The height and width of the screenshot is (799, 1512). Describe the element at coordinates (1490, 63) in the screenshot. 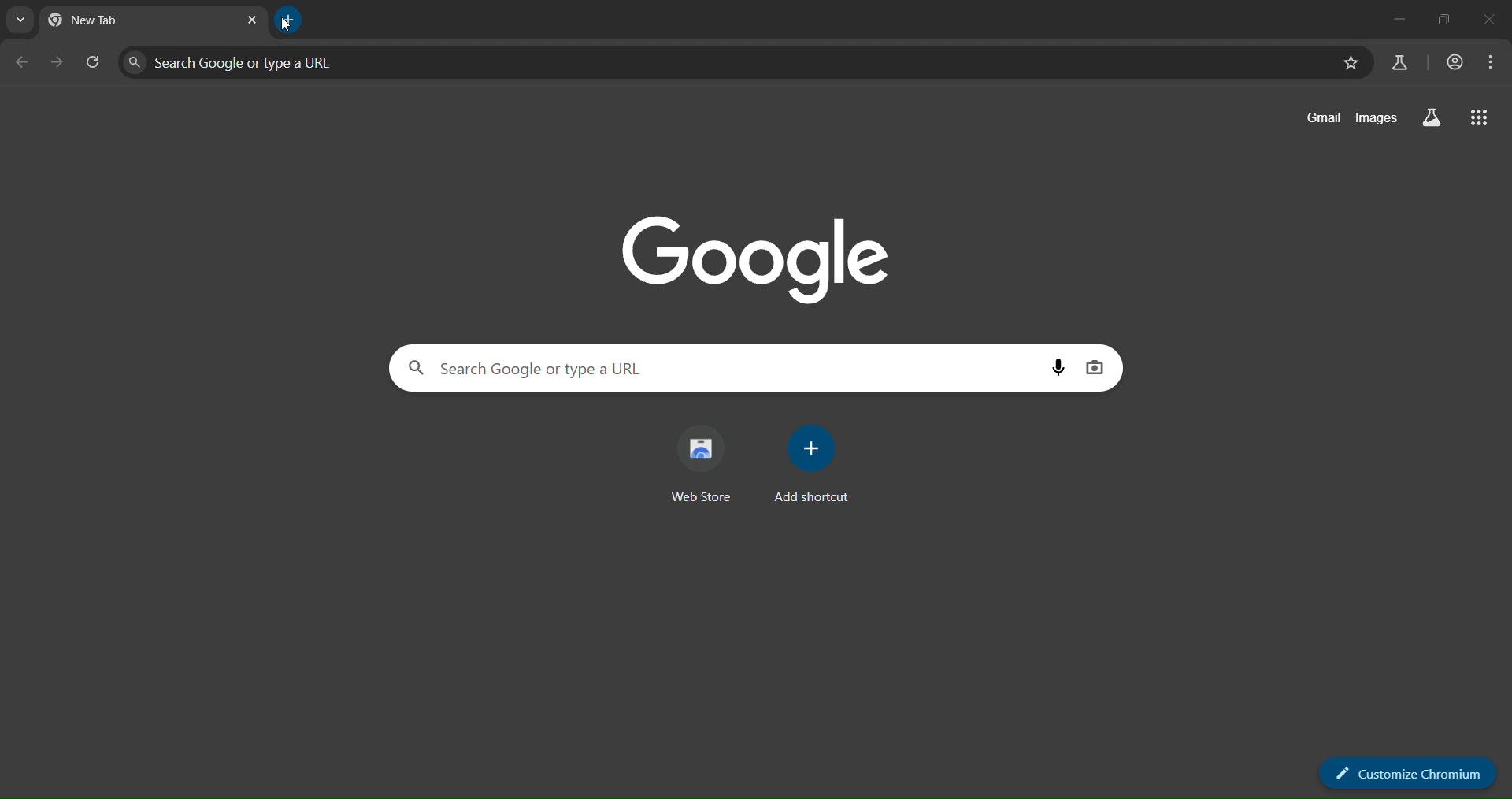

I see `menu` at that location.